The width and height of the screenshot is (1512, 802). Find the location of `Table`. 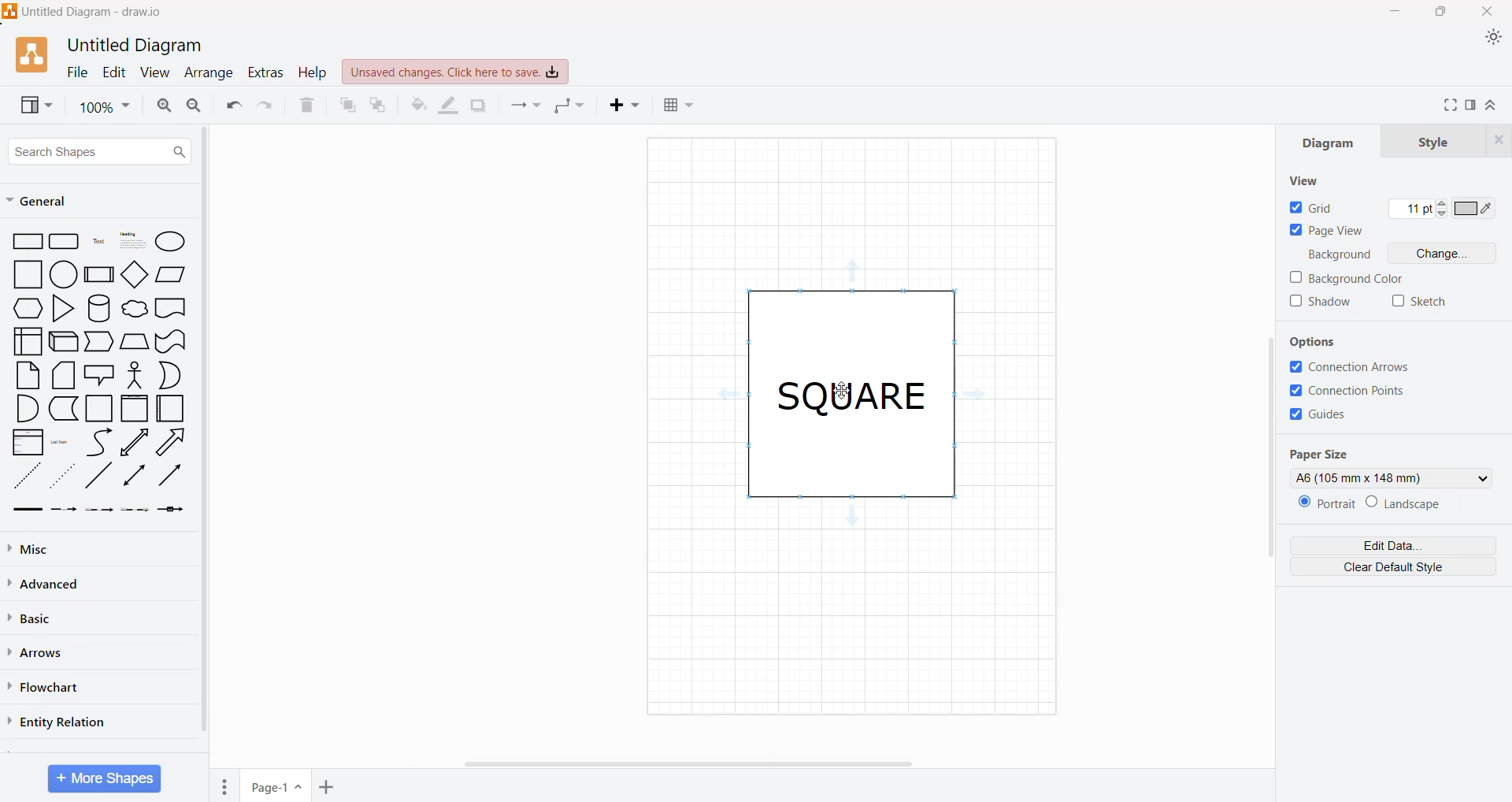

Table is located at coordinates (676, 104).